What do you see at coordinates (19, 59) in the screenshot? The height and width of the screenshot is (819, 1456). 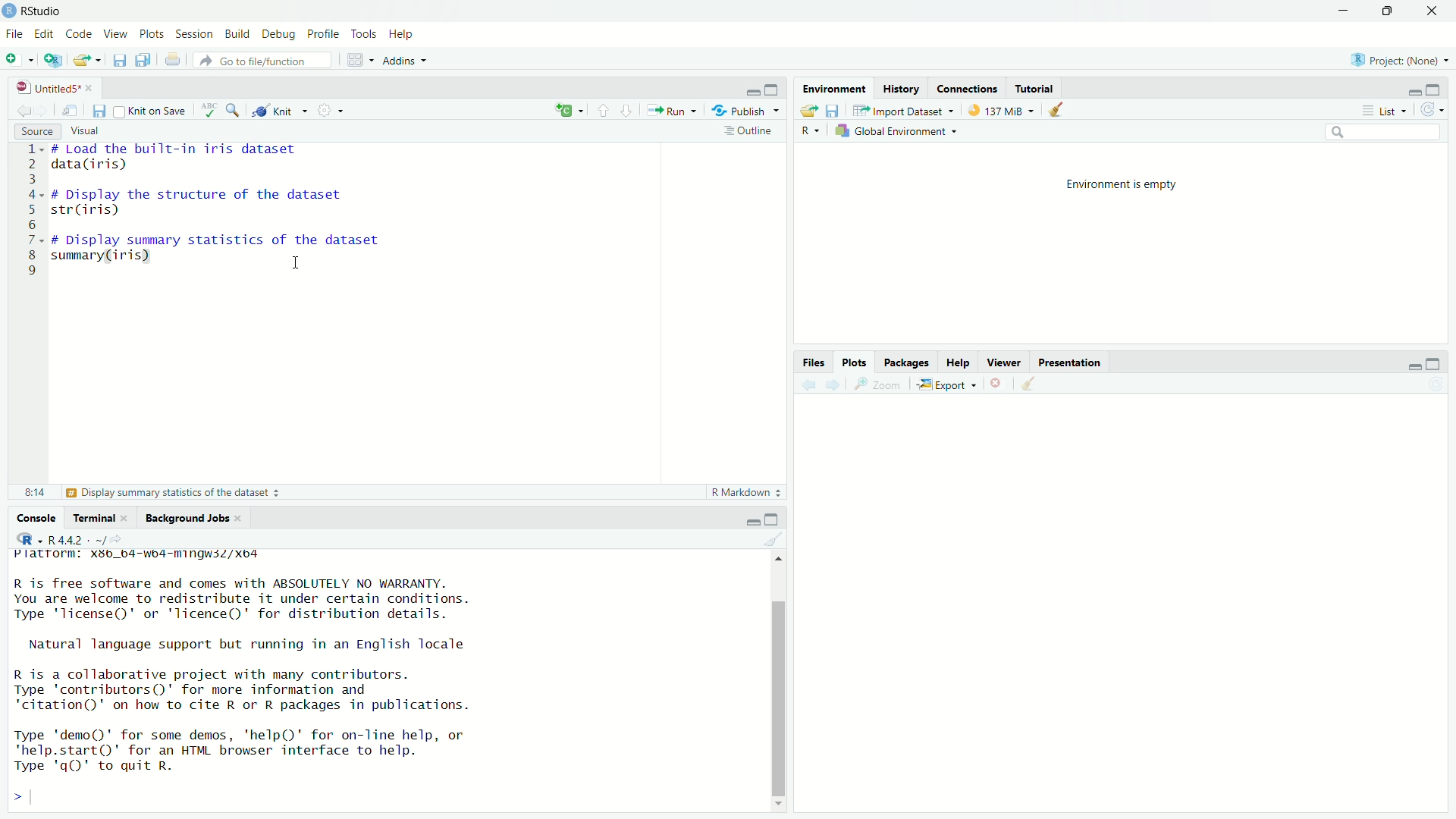 I see `Open new file` at bounding box center [19, 59].